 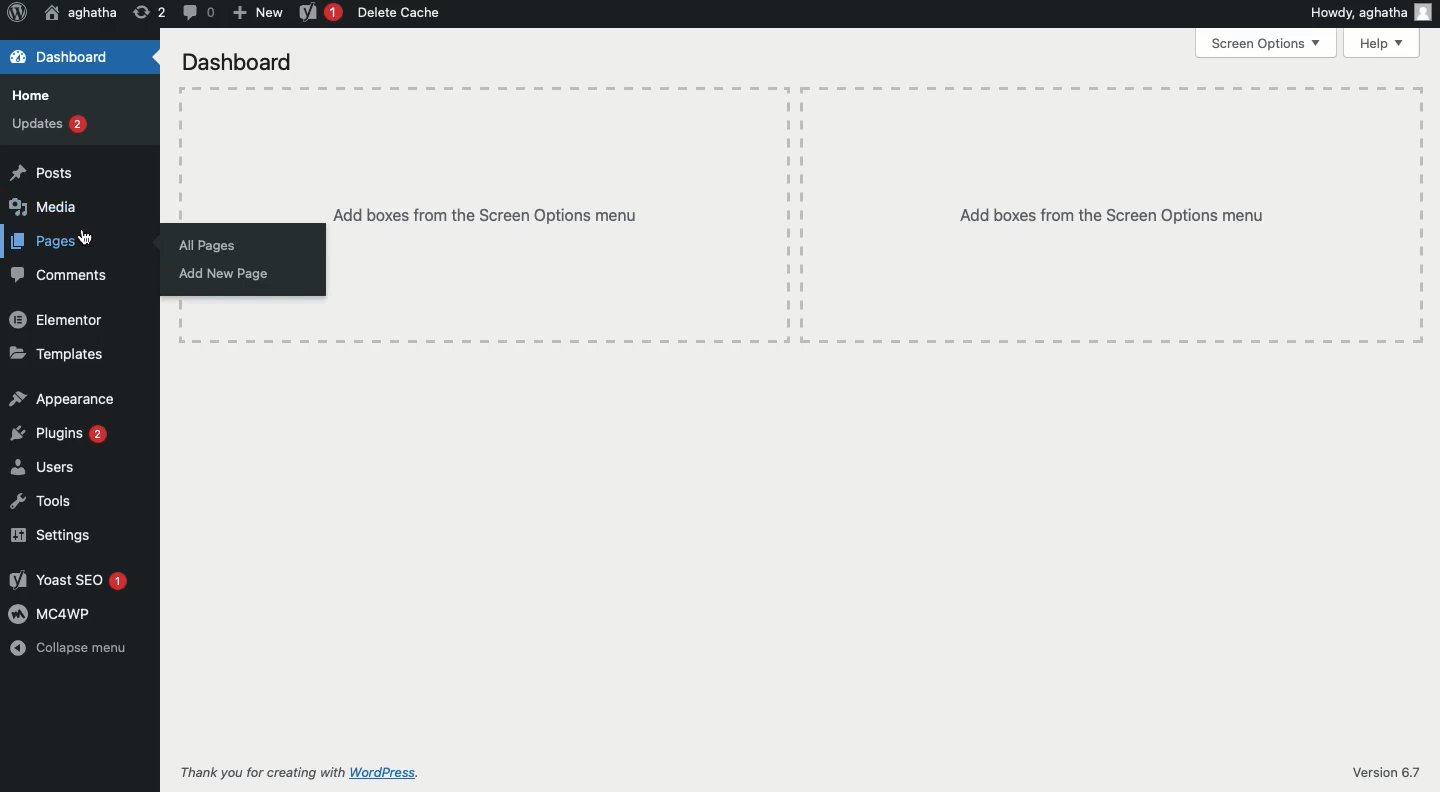 I want to click on Yoast, so click(x=318, y=13).